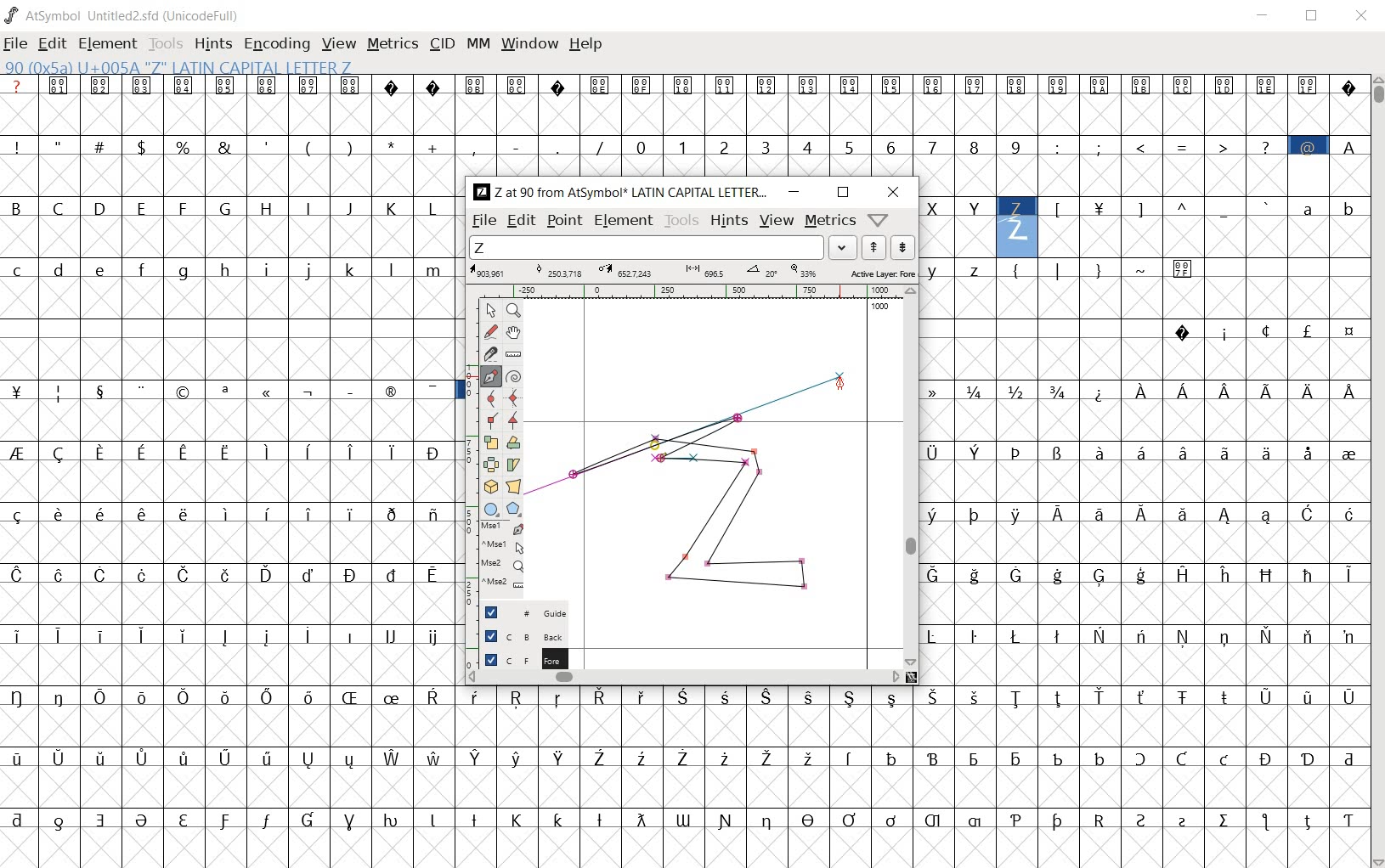 This screenshot has width=1385, height=868. I want to click on Active Layer: Fore, so click(692, 272).